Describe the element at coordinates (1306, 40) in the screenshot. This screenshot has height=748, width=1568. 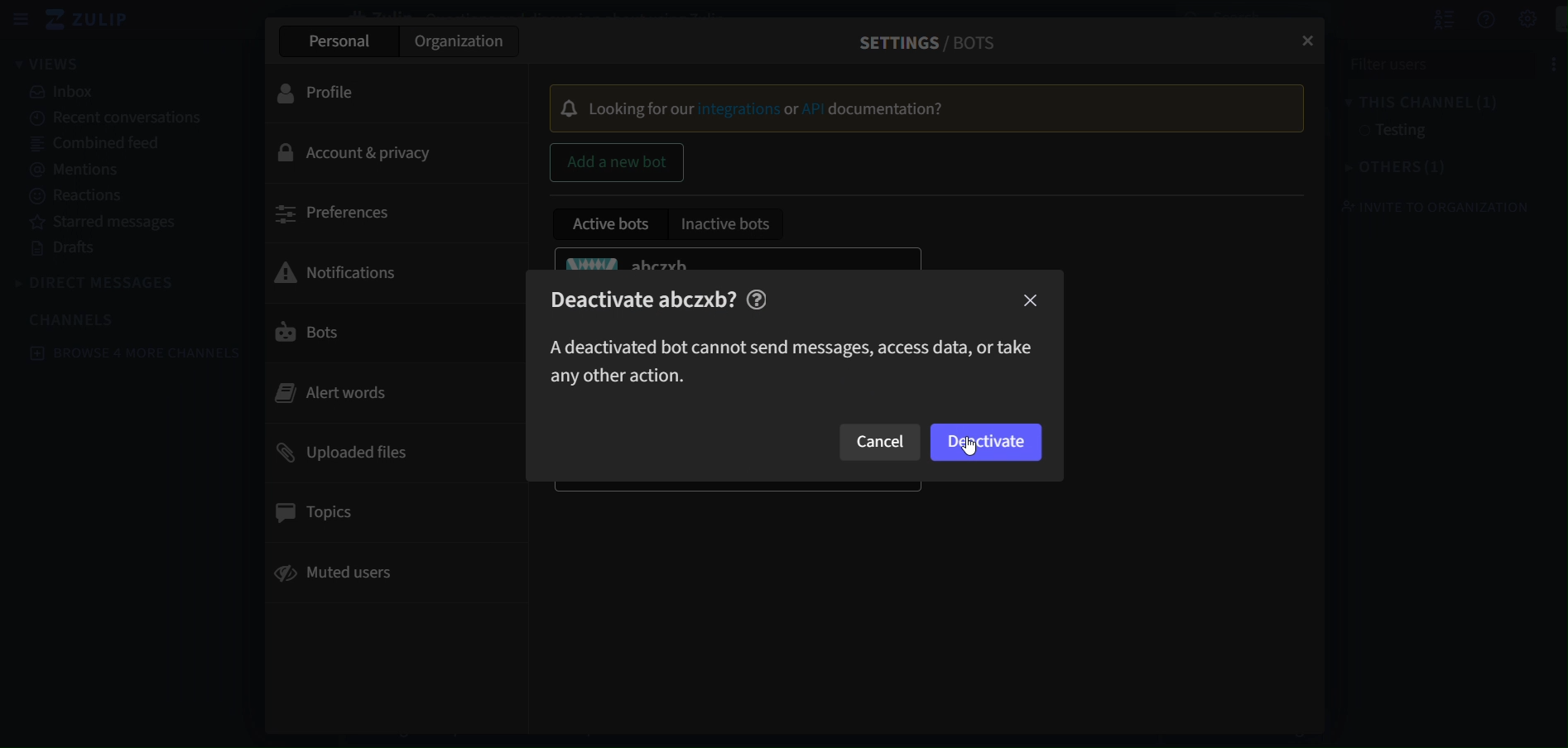
I see `close` at that location.